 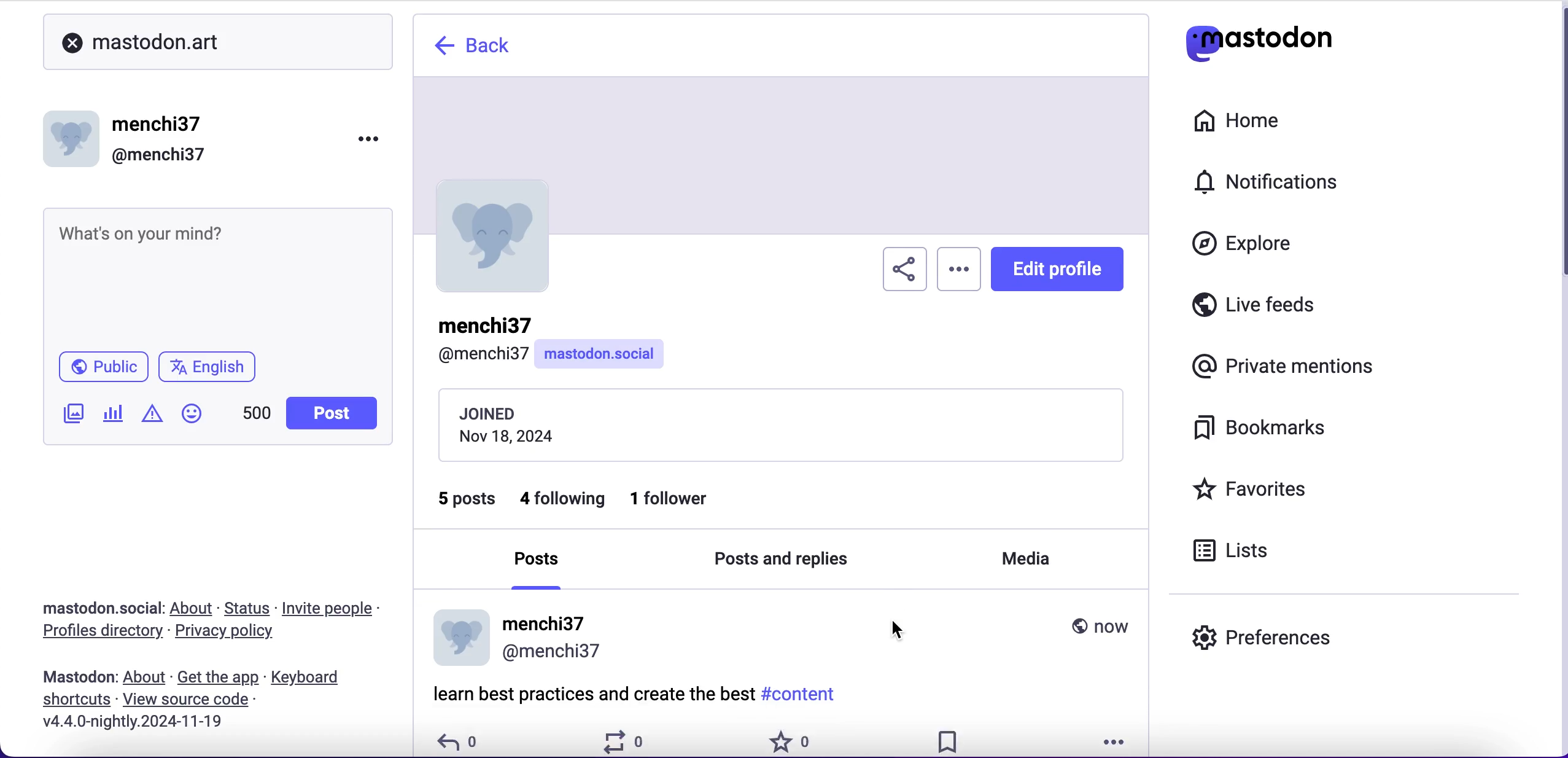 I want to click on 4 following, so click(x=561, y=500).